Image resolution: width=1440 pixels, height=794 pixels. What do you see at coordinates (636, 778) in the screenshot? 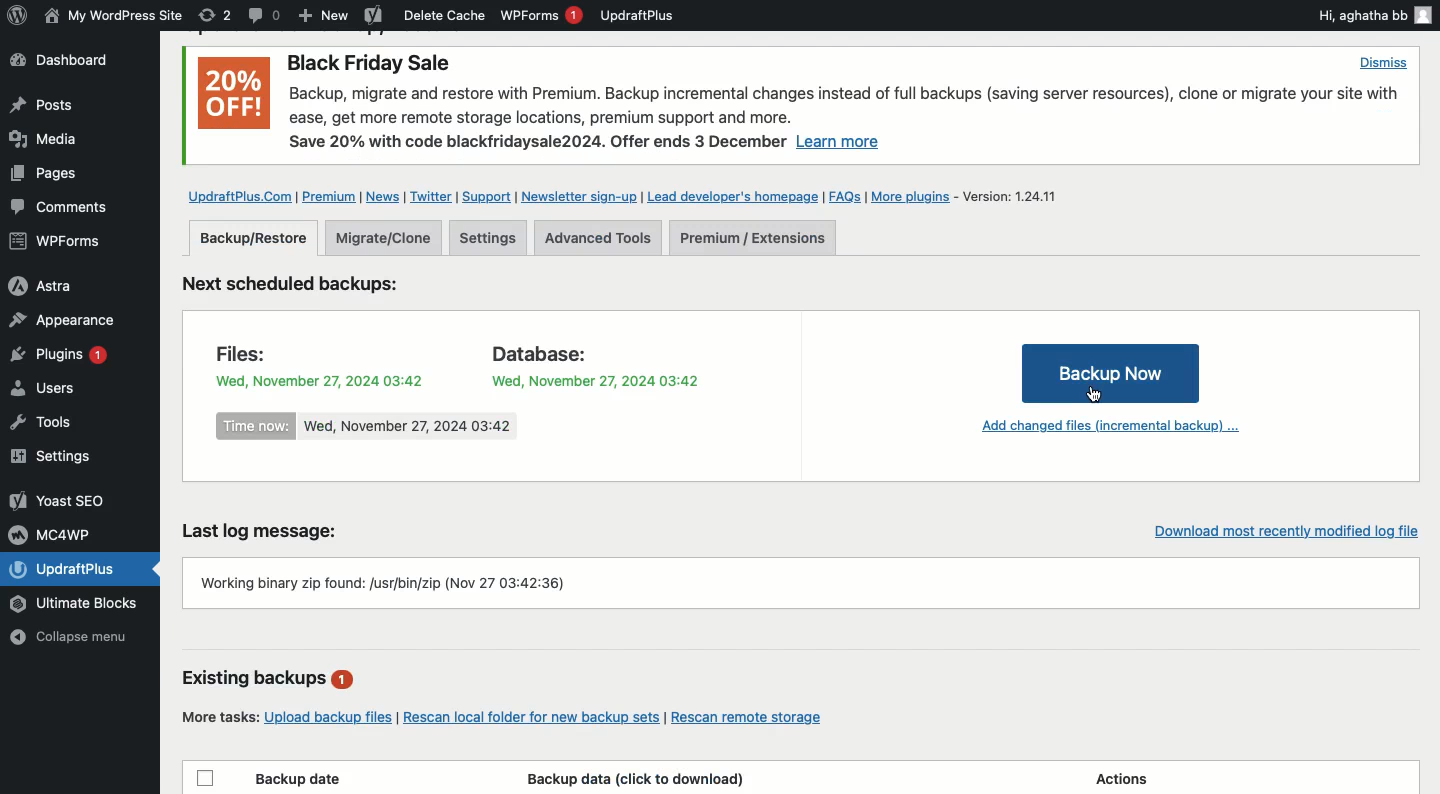
I see `Backup data (click to download)` at bounding box center [636, 778].